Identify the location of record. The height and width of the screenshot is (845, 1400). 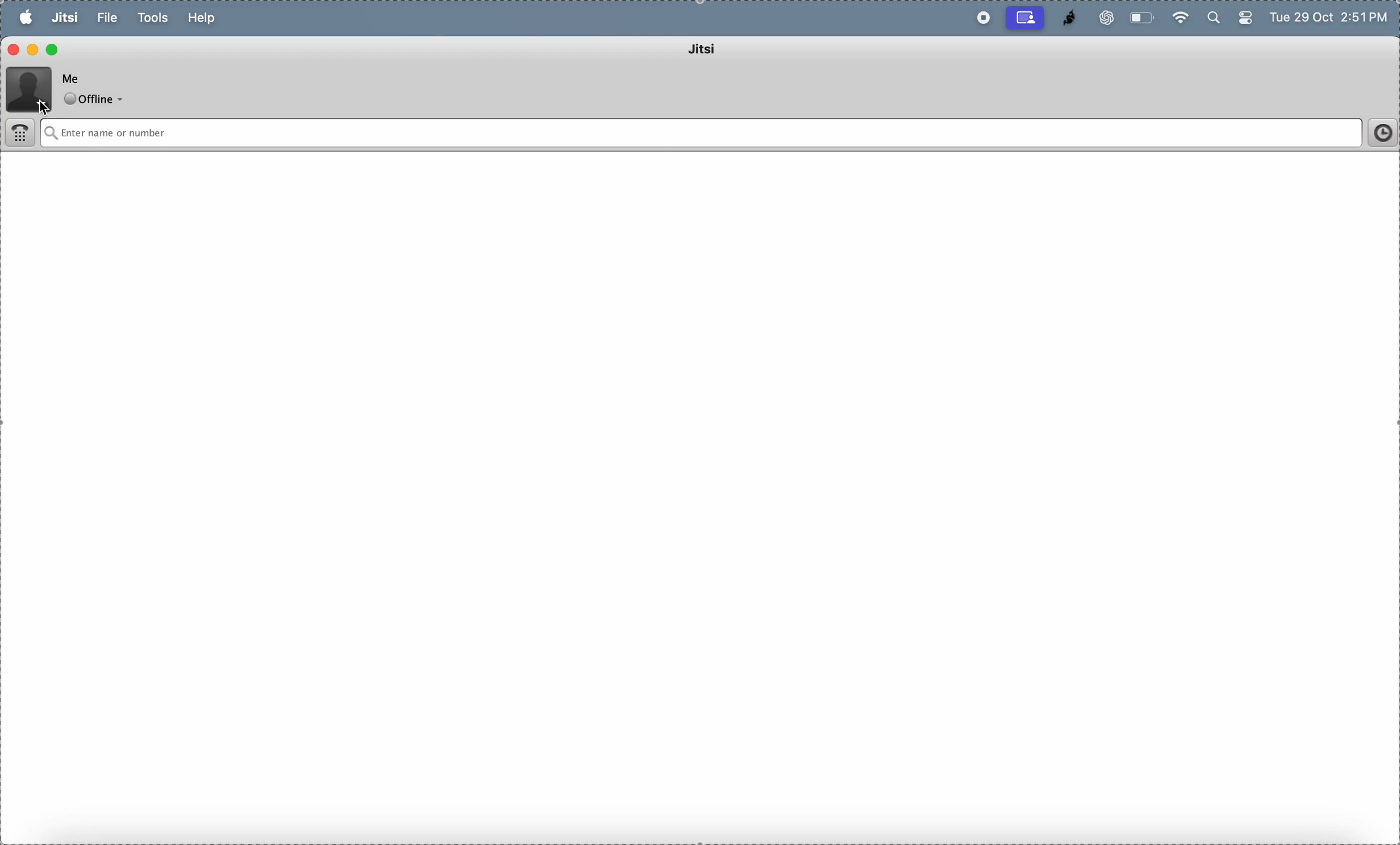
(980, 18).